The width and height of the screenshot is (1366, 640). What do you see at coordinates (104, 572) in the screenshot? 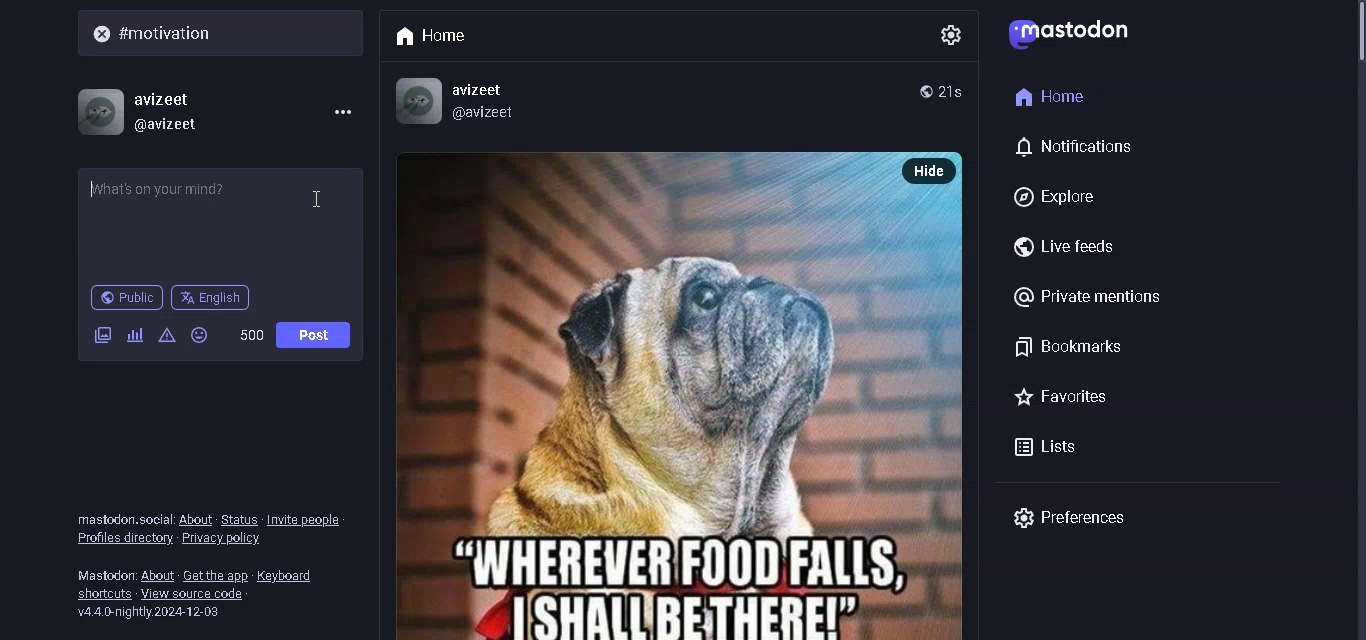
I see `text` at bounding box center [104, 572].